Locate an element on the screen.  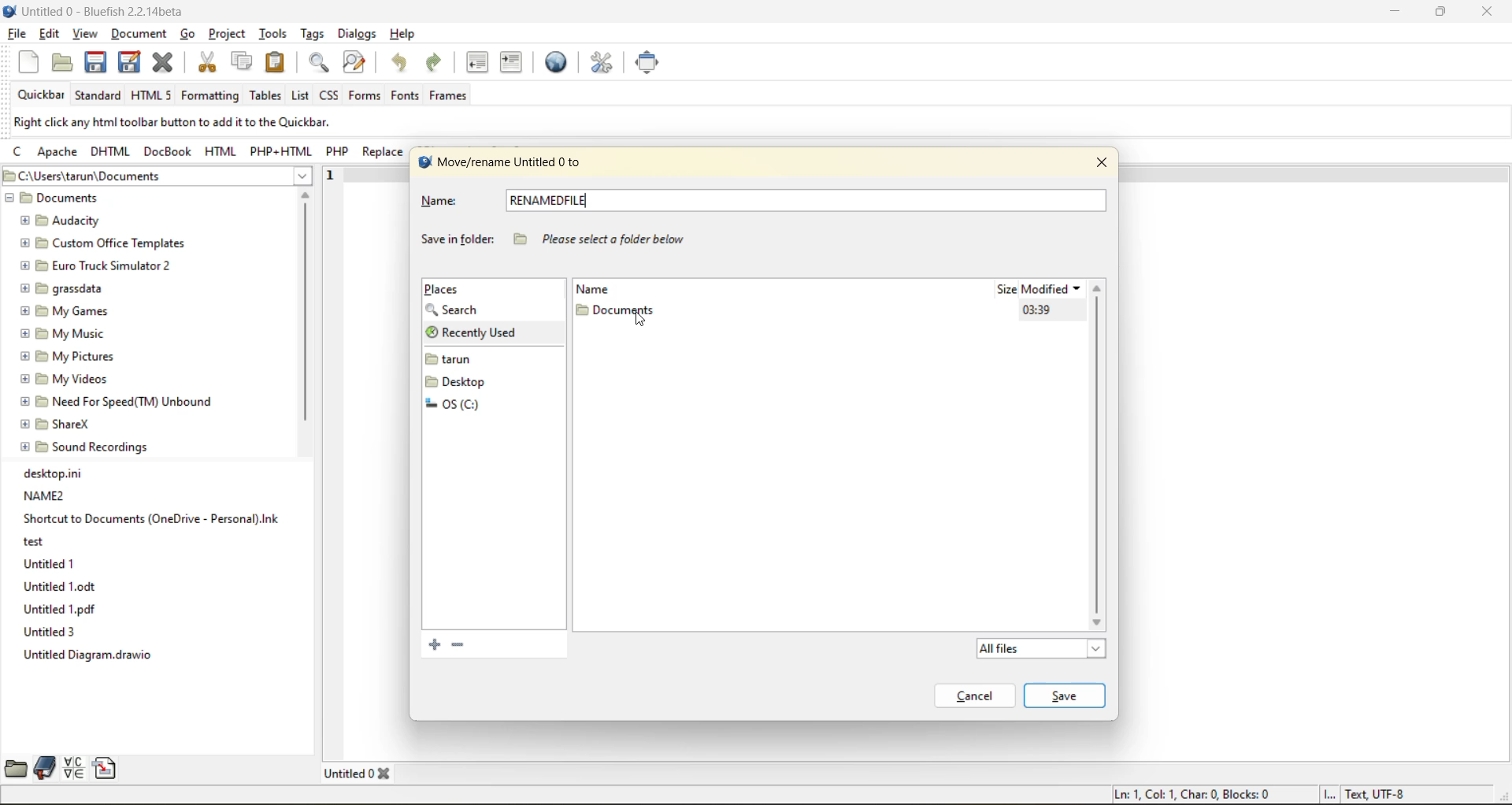
c is located at coordinates (17, 154).